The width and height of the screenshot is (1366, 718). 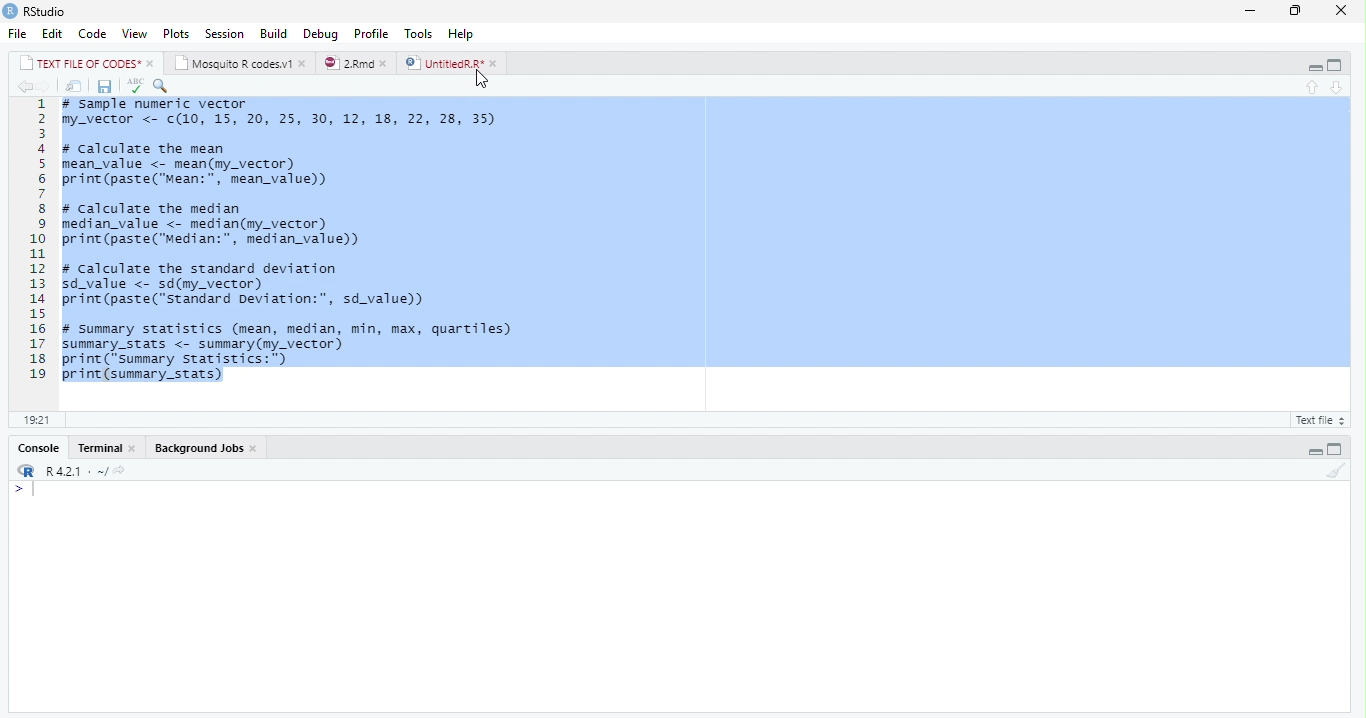 I want to click on Terminal, so click(x=101, y=448).